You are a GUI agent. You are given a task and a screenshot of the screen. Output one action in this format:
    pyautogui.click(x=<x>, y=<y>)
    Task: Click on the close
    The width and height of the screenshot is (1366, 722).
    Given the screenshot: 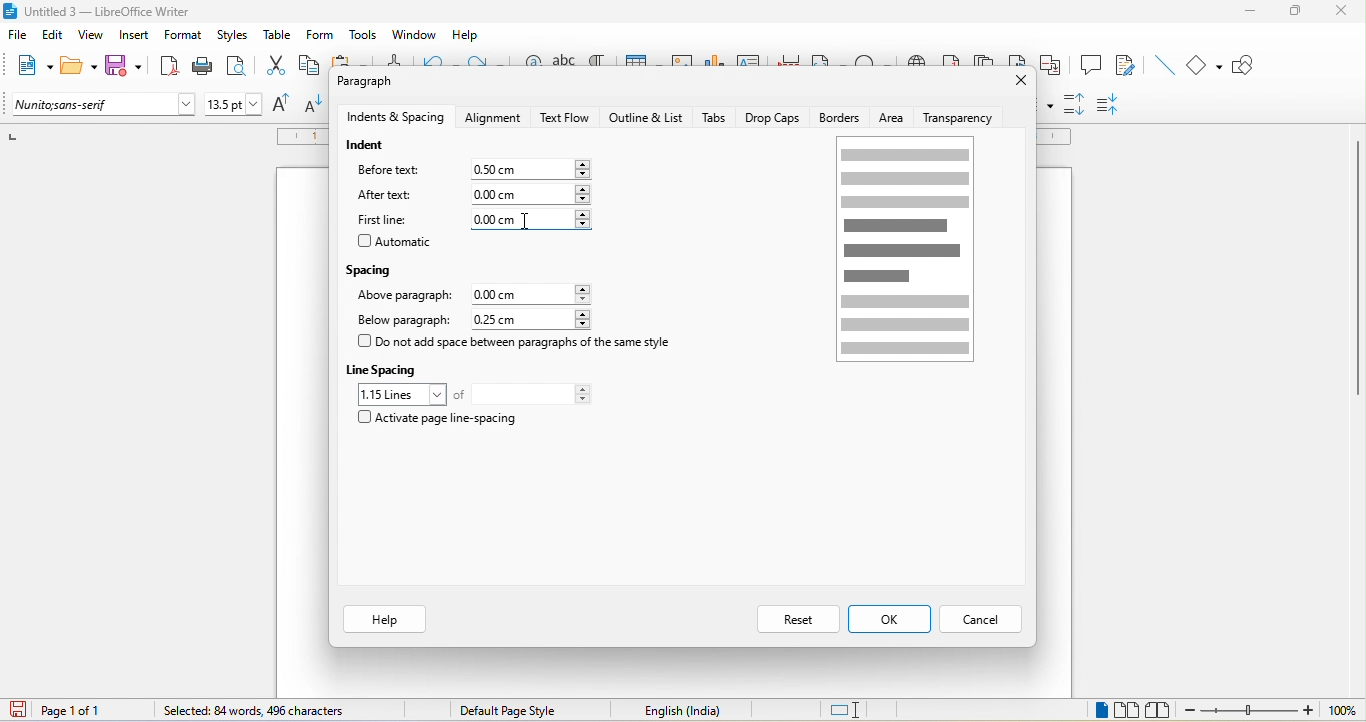 What is the action you would take?
    pyautogui.click(x=1019, y=79)
    